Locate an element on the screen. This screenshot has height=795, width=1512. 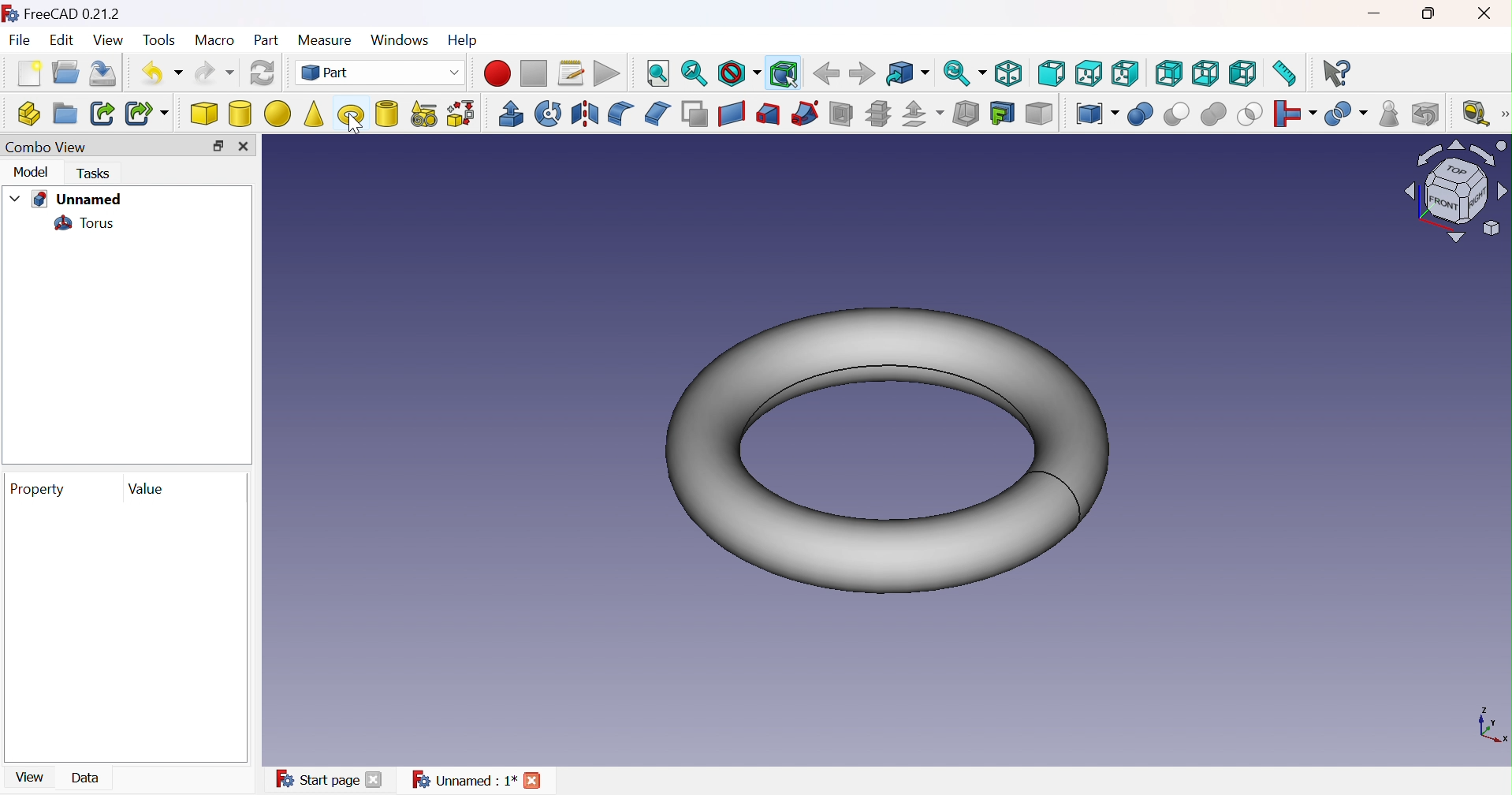
Defeaturing is located at coordinates (1427, 114).